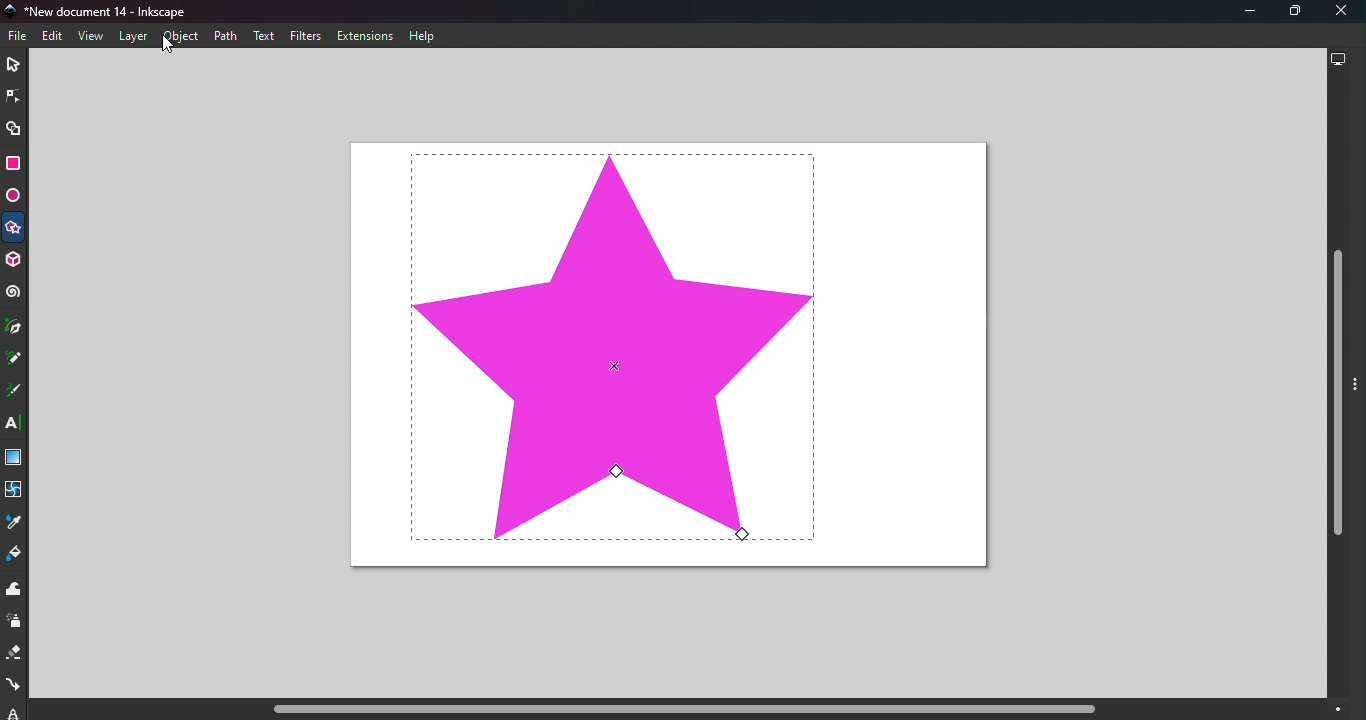 The height and width of the screenshot is (720, 1366). What do you see at coordinates (16, 260) in the screenshot?
I see `3D box tool` at bounding box center [16, 260].